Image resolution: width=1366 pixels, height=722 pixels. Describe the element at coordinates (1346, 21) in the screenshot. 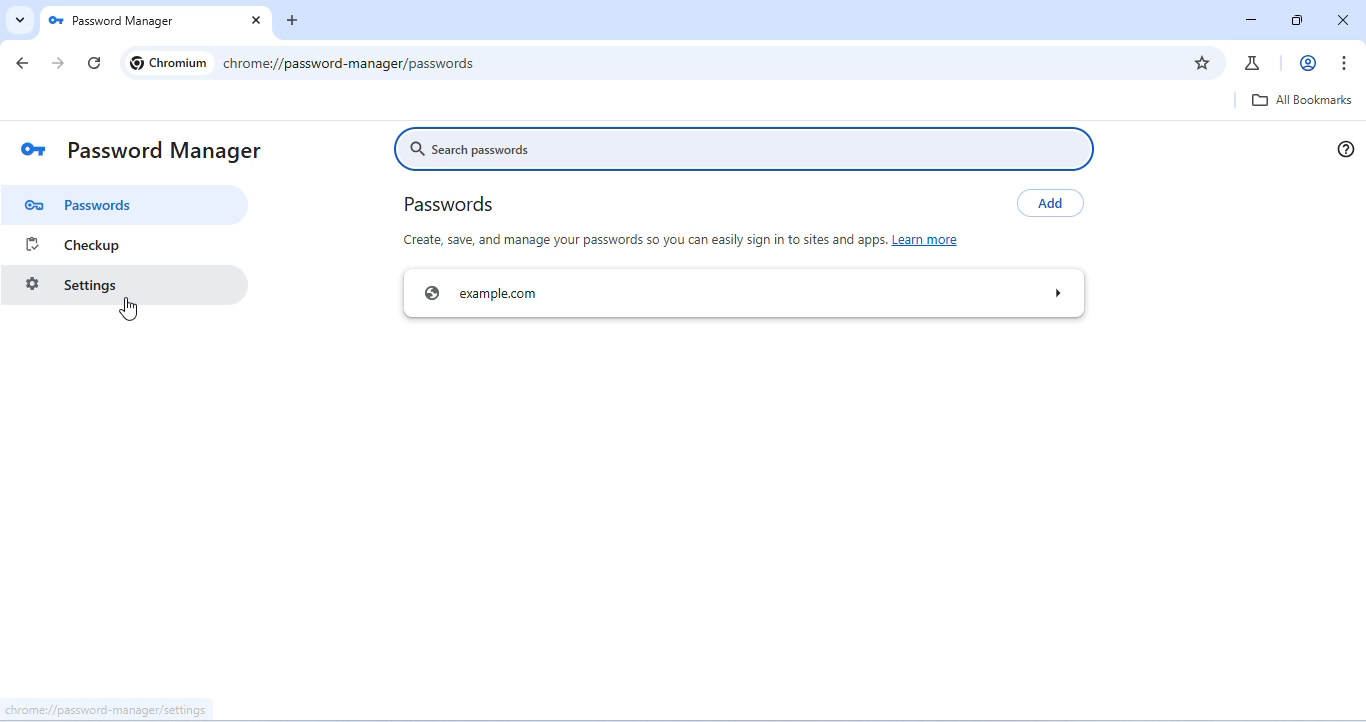

I see `close` at that location.